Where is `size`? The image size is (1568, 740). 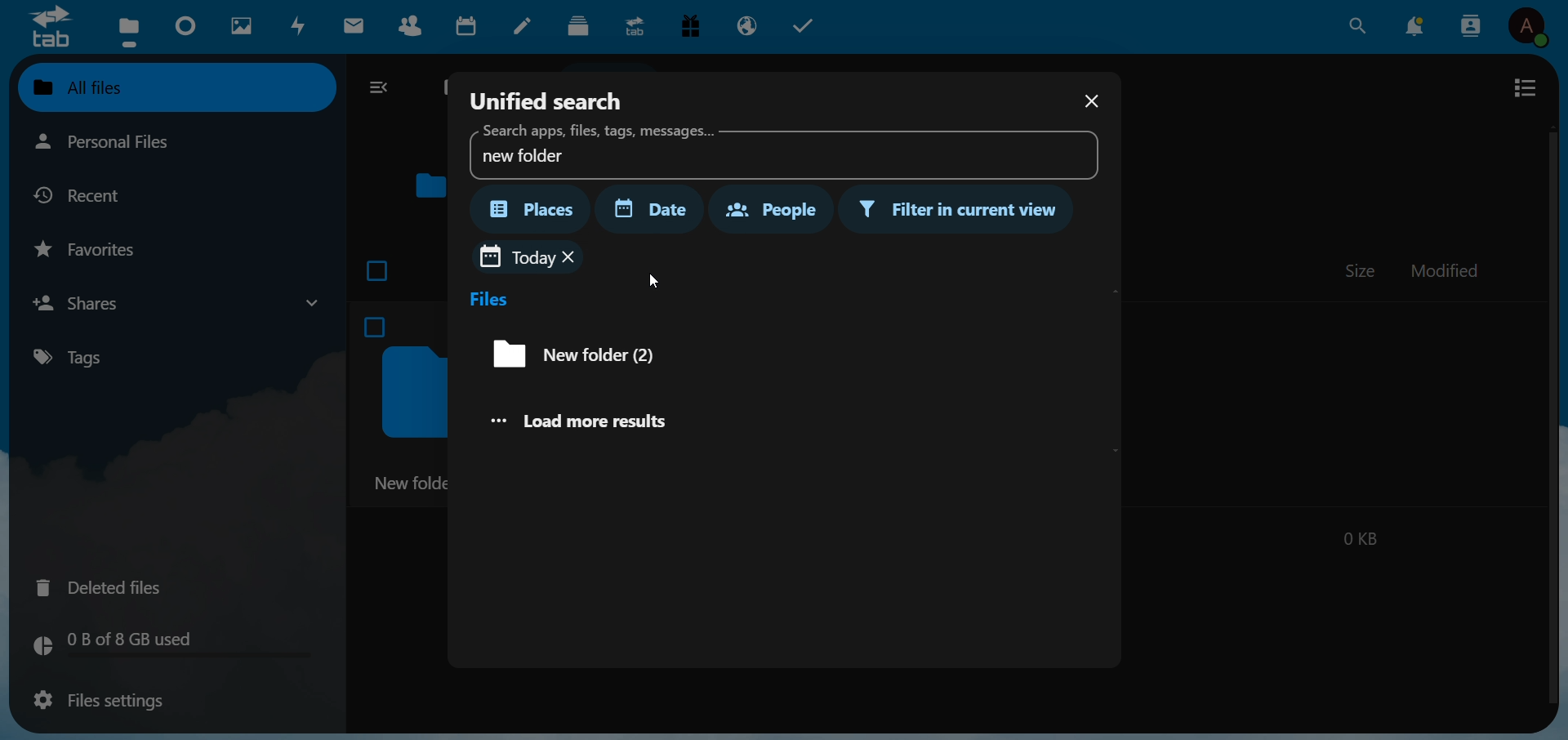
size is located at coordinates (1361, 270).